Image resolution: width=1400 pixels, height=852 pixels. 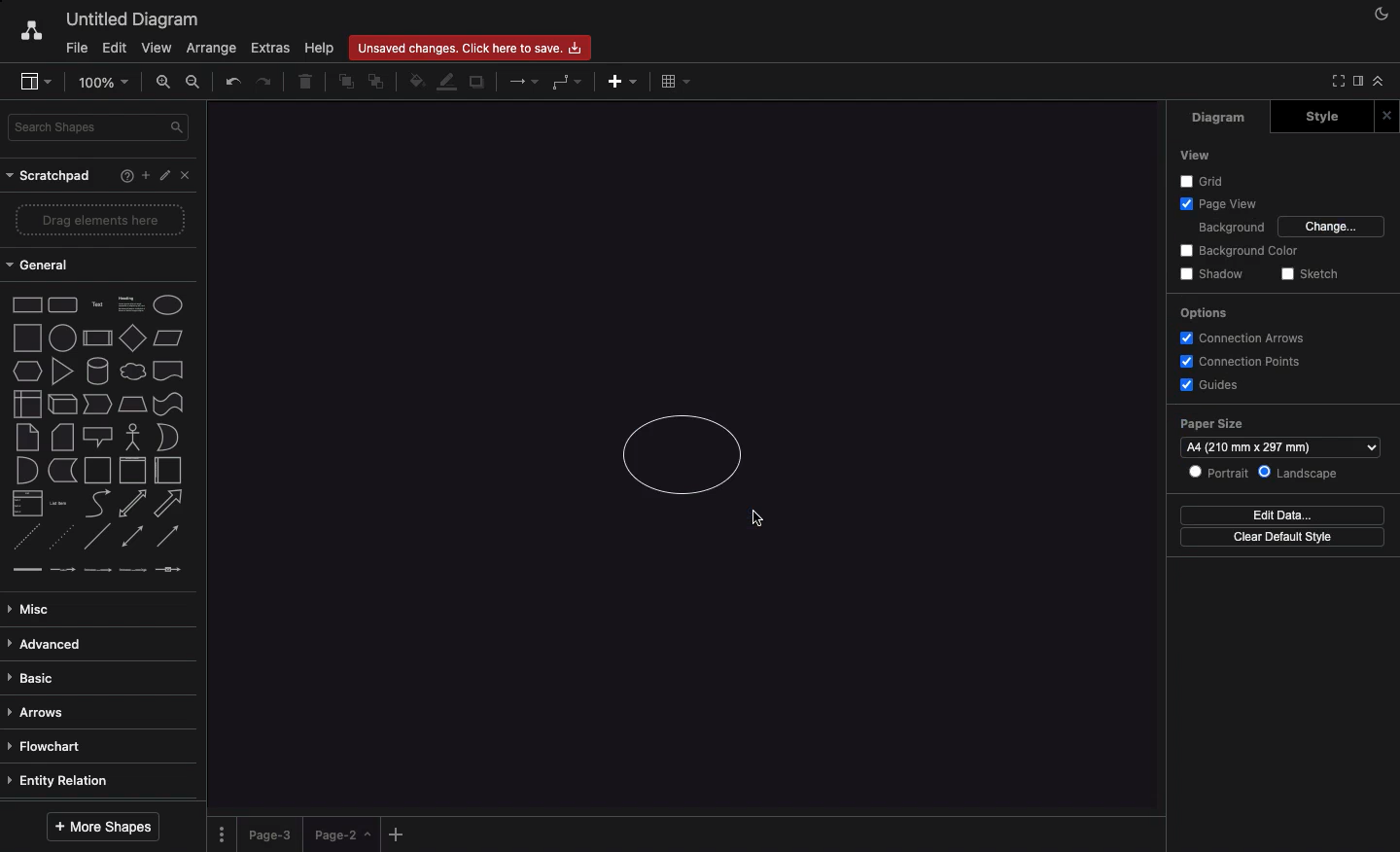 What do you see at coordinates (28, 372) in the screenshot?
I see `hexagon` at bounding box center [28, 372].